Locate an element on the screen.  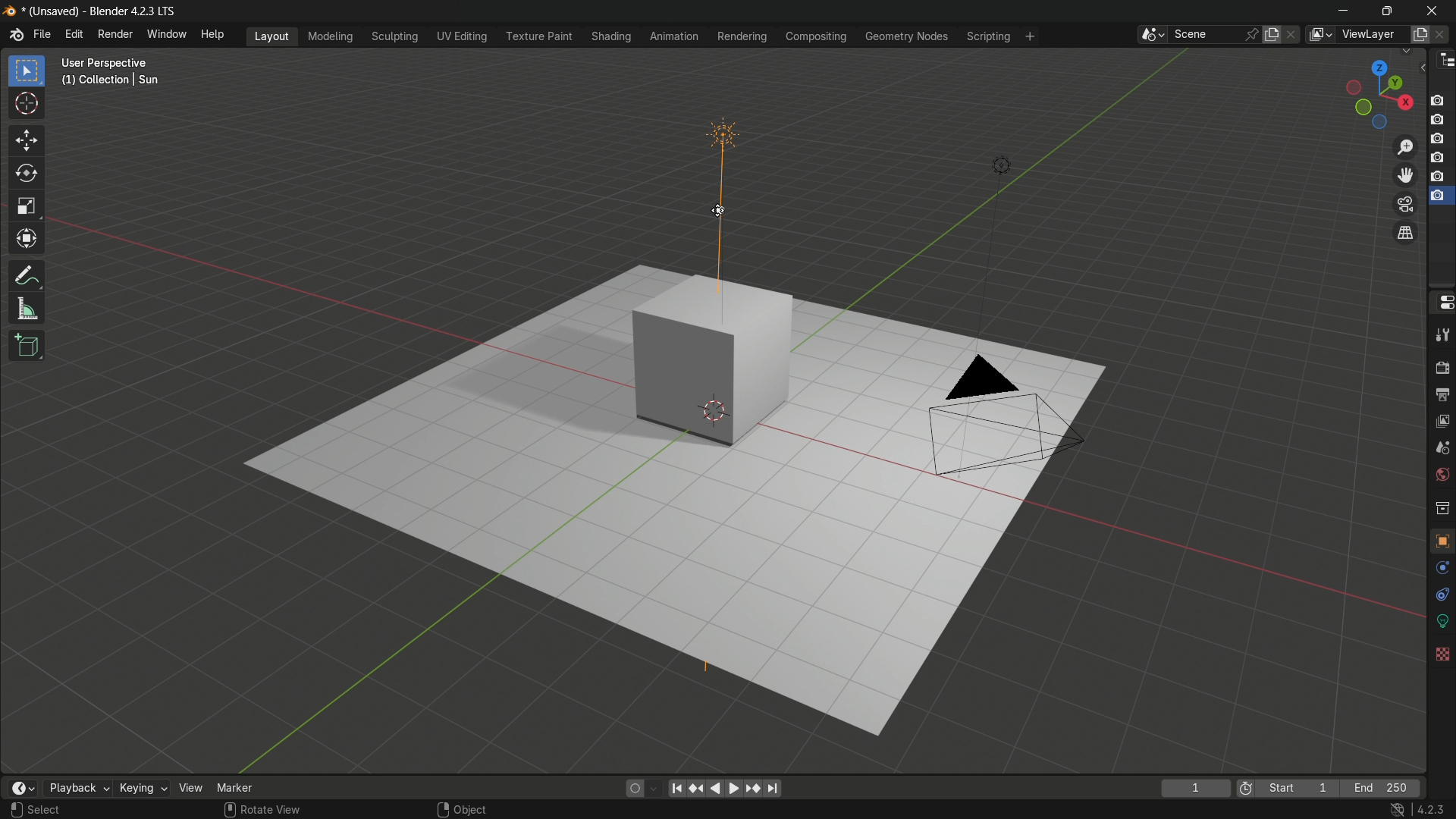
move the view is located at coordinates (1405, 174).